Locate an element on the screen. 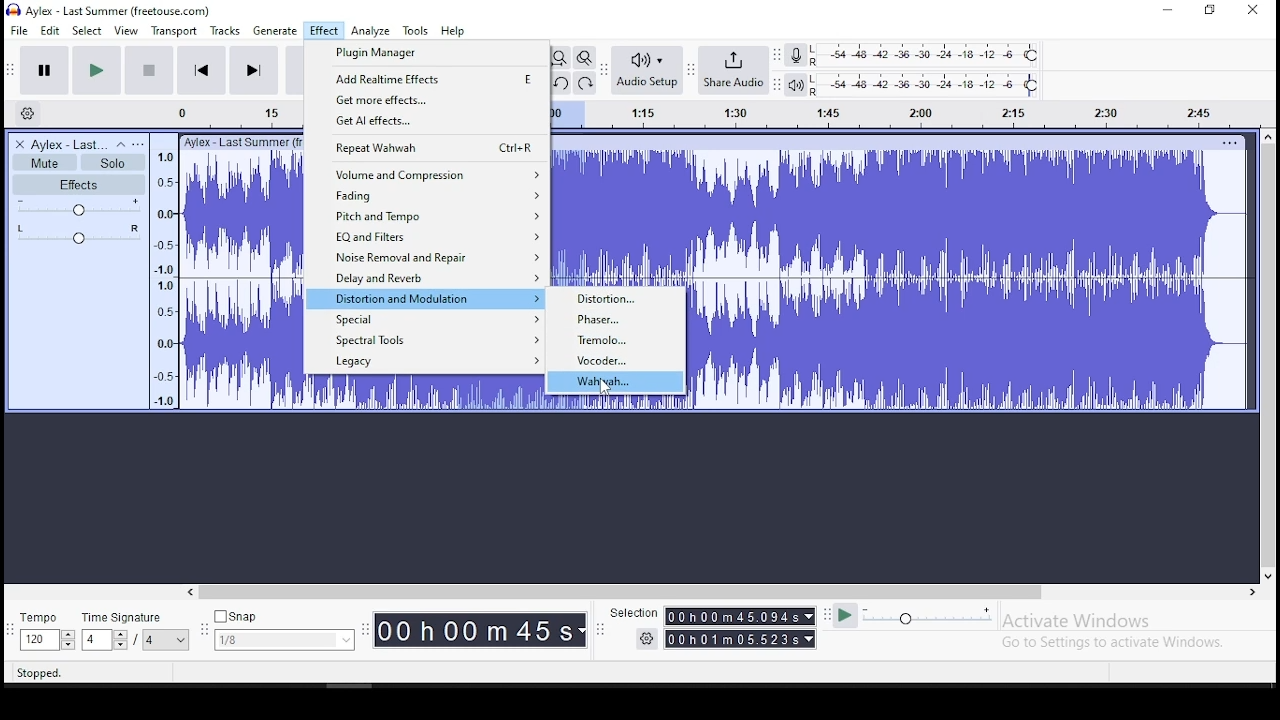 This screenshot has width=1280, height=720. mute is located at coordinates (45, 162).